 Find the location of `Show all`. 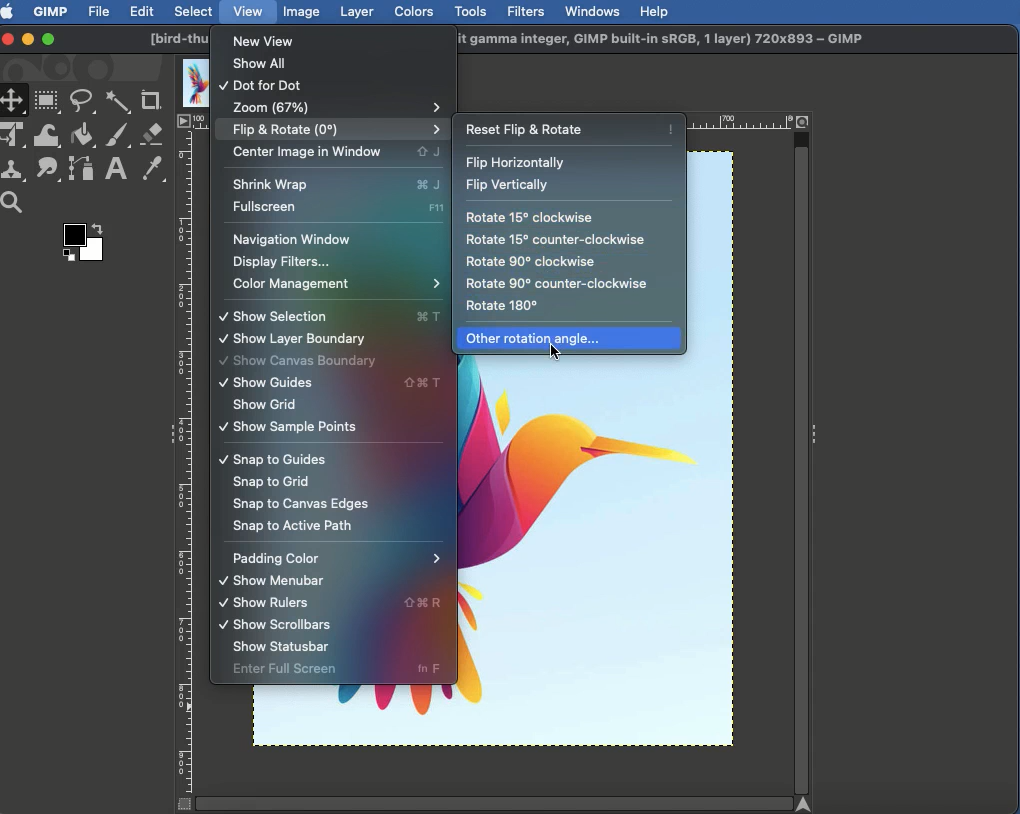

Show all is located at coordinates (262, 67).